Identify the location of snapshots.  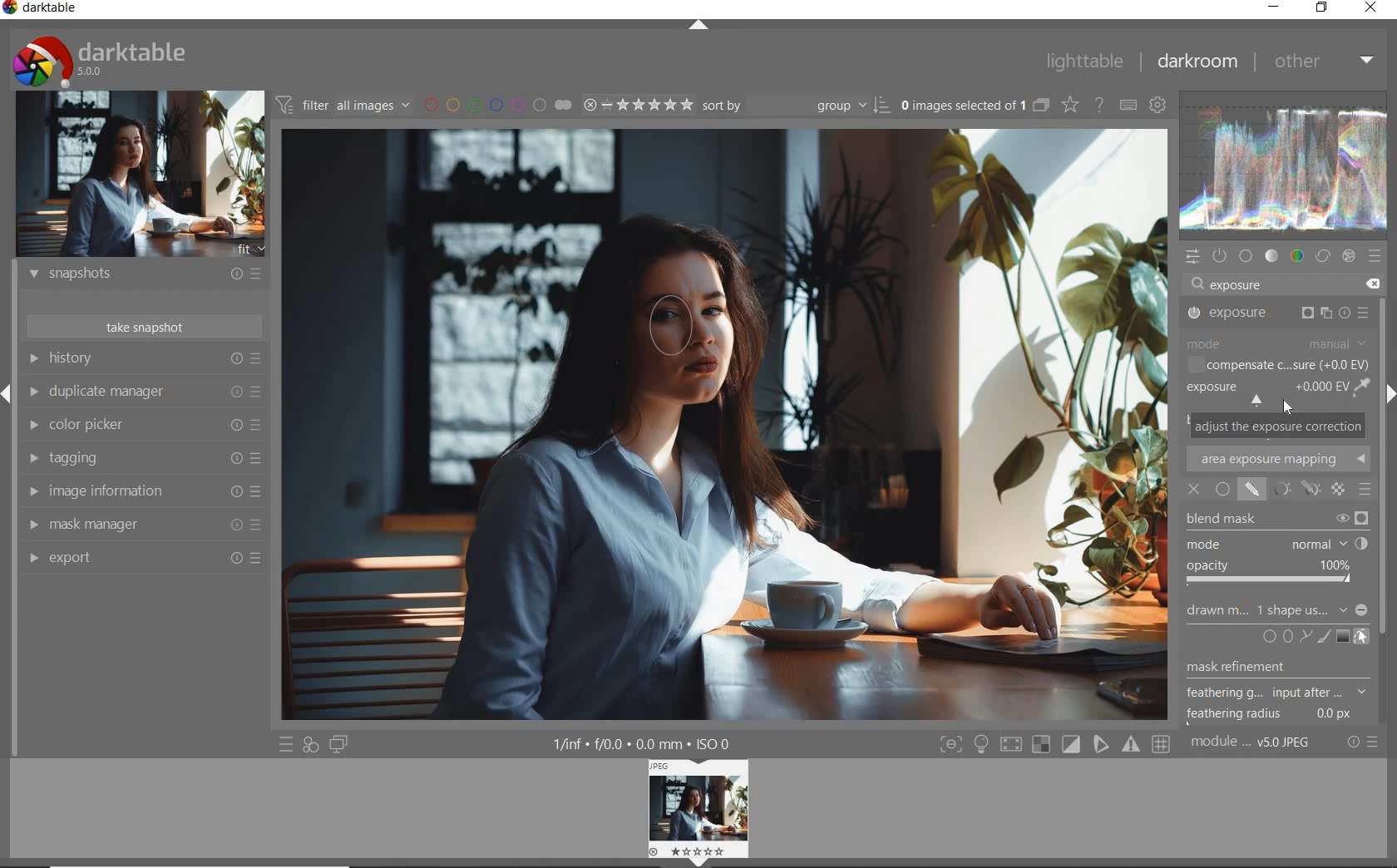
(147, 274).